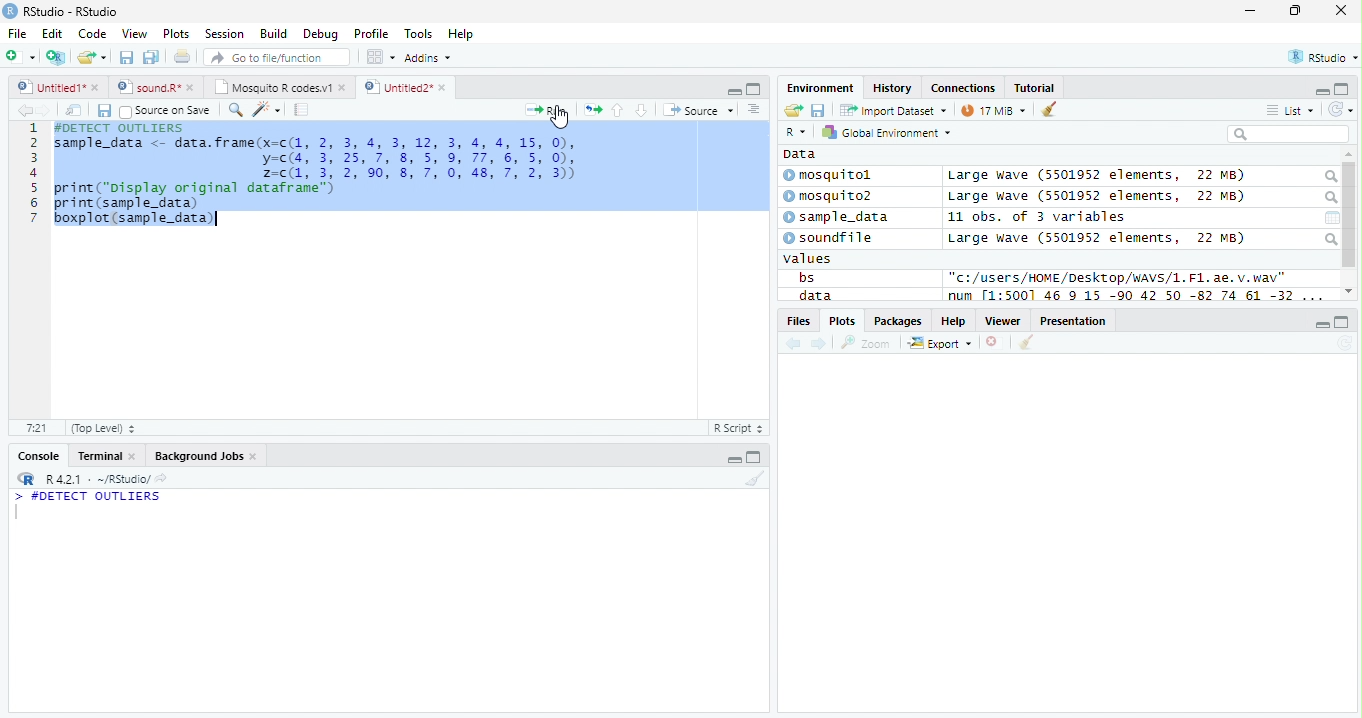 This screenshot has width=1362, height=718. I want to click on closse, so click(1342, 10).